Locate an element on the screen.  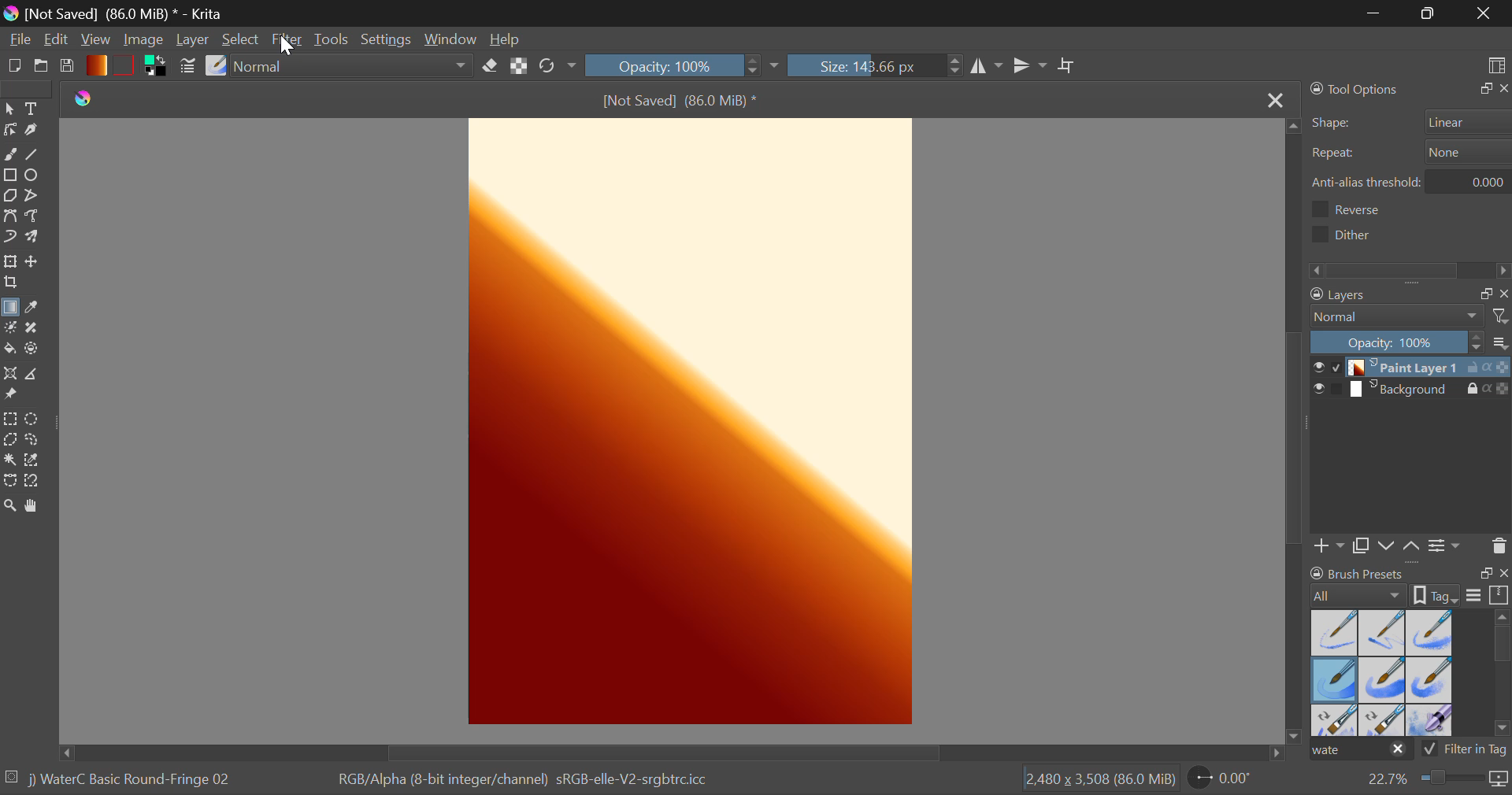
New is located at coordinates (14, 66).